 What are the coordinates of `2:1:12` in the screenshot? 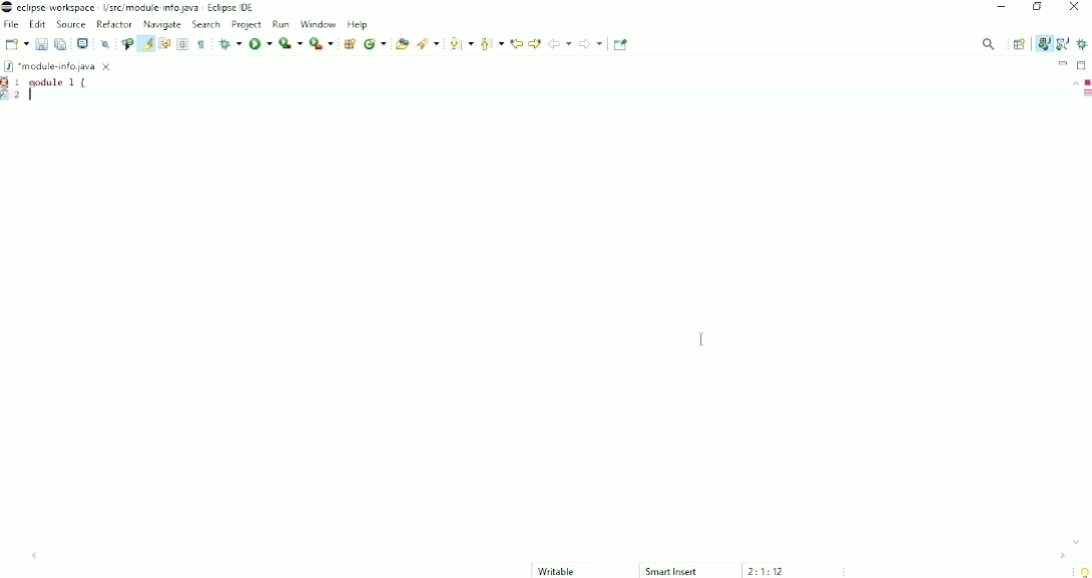 It's located at (767, 571).